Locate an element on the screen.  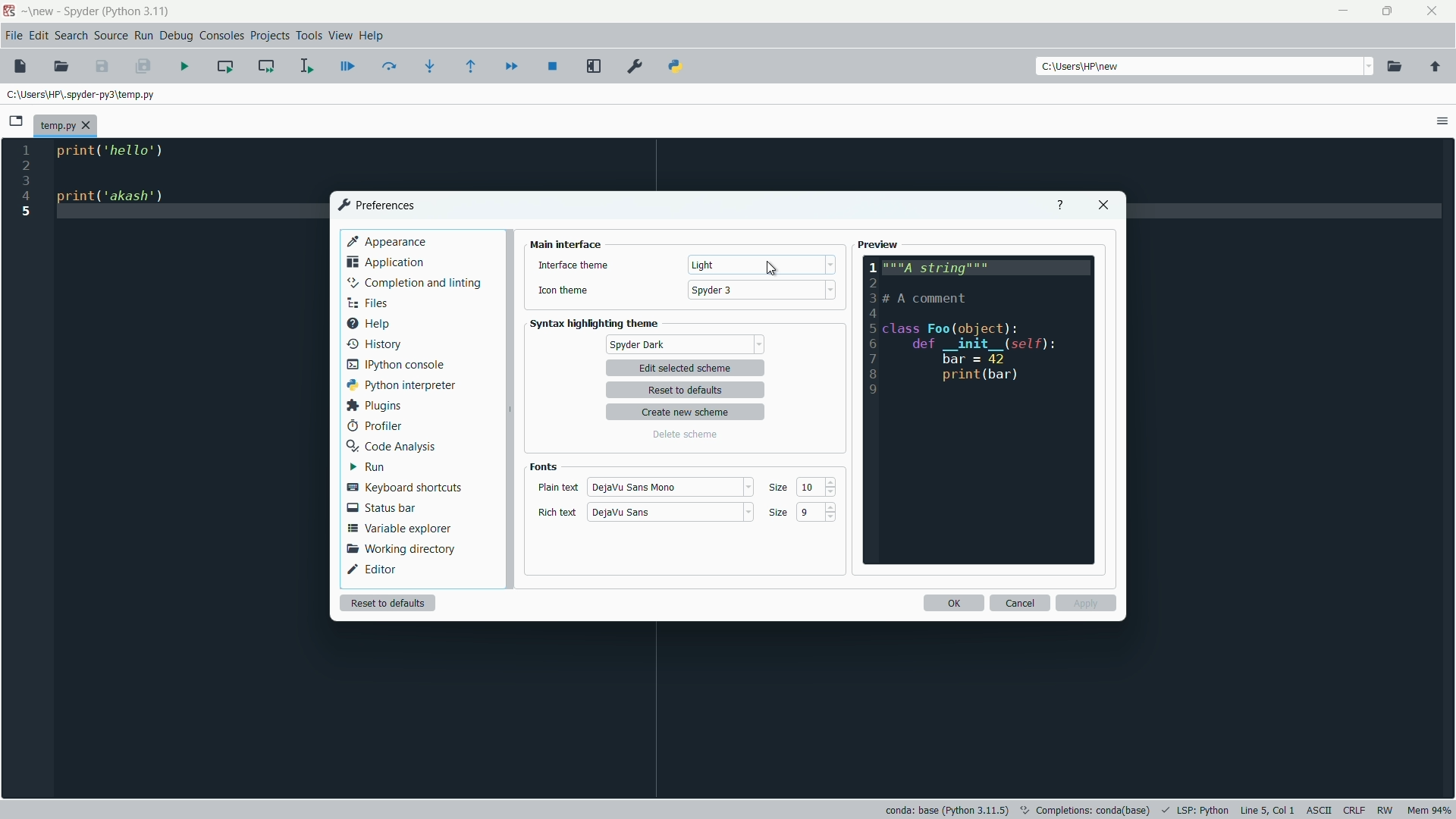
reset to defaults is located at coordinates (690, 391).